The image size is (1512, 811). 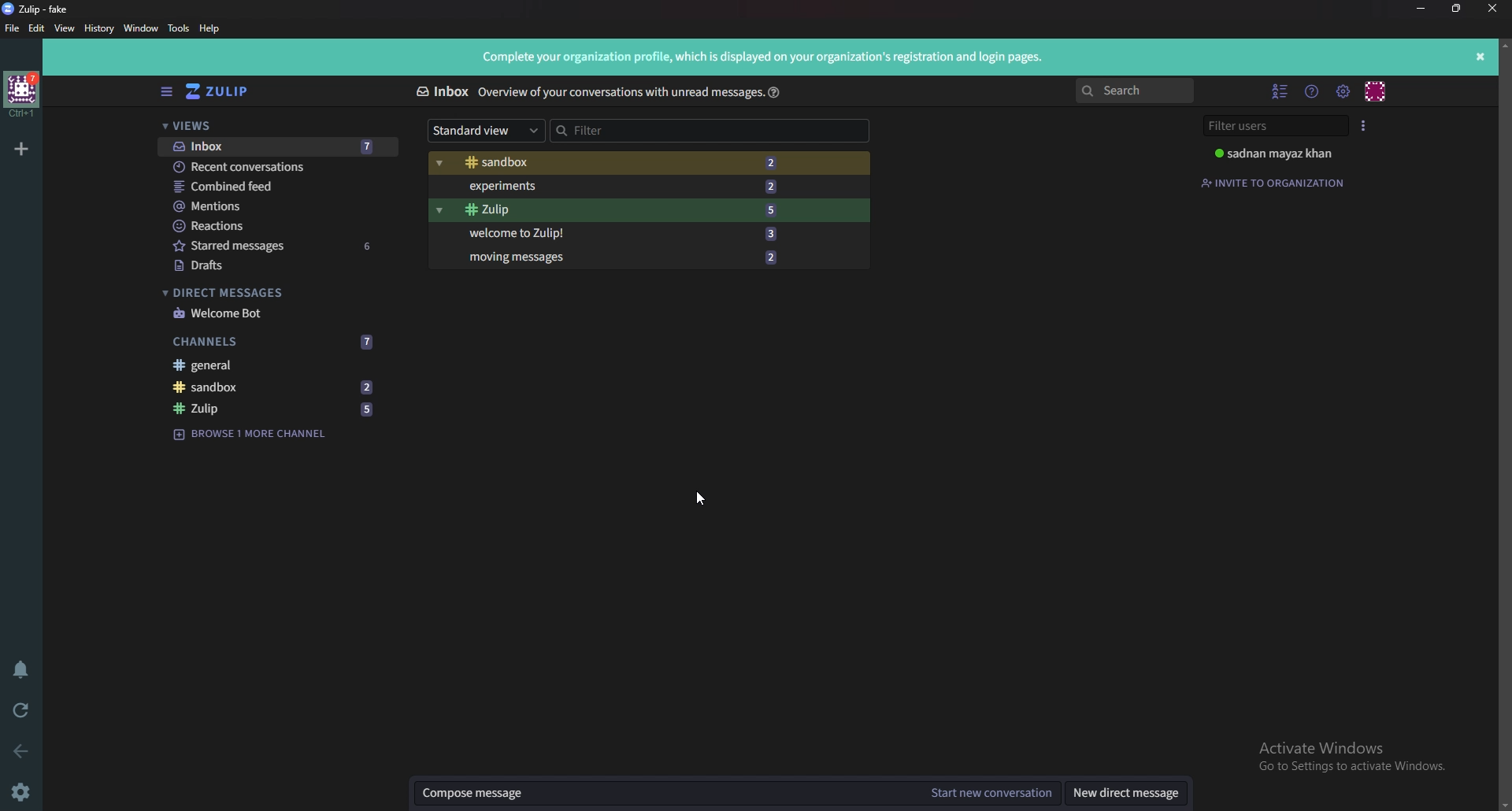 What do you see at coordinates (143, 28) in the screenshot?
I see `Window` at bounding box center [143, 28].